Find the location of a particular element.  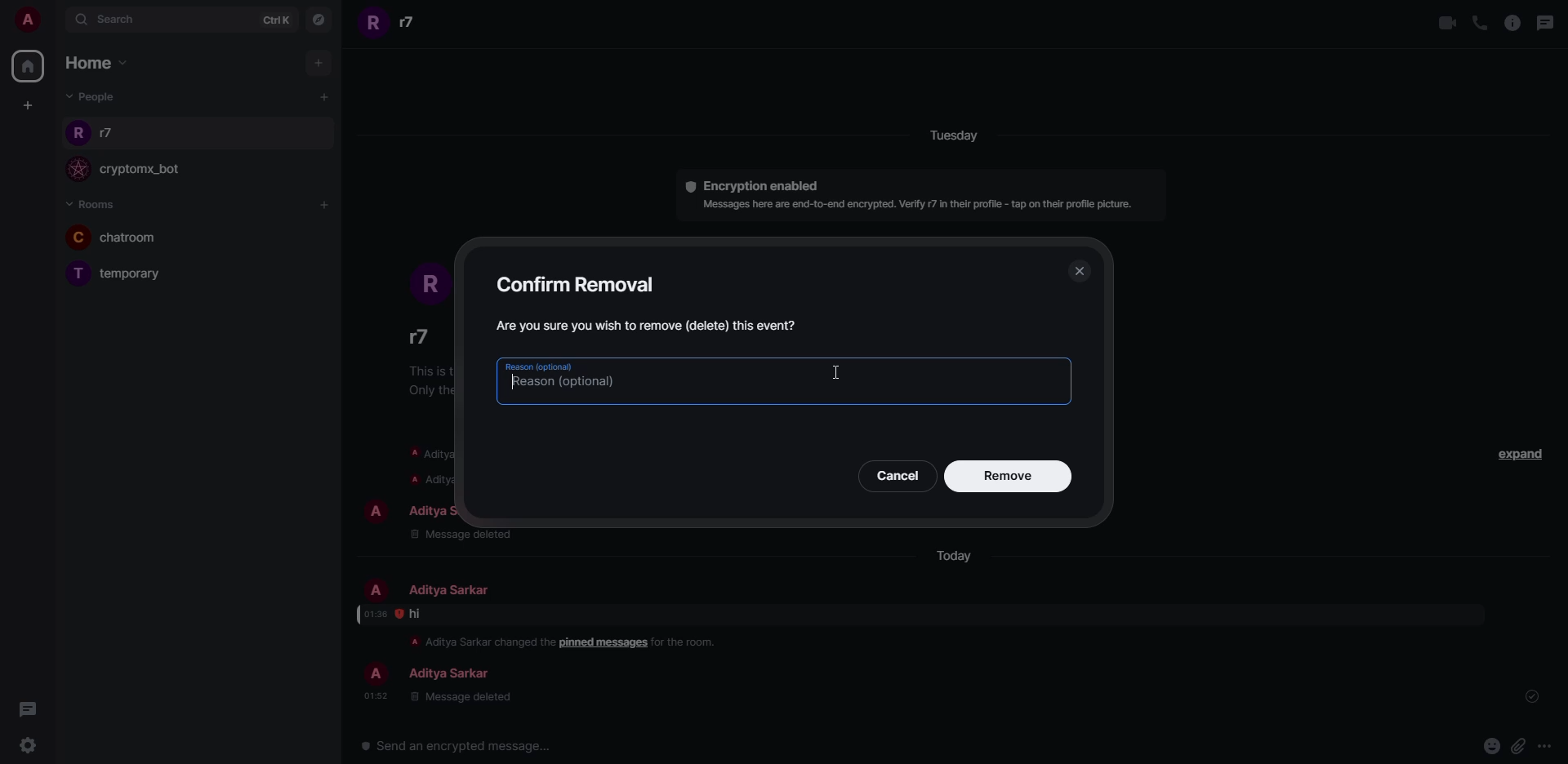

pinned message is located at coordinates (604, 643).